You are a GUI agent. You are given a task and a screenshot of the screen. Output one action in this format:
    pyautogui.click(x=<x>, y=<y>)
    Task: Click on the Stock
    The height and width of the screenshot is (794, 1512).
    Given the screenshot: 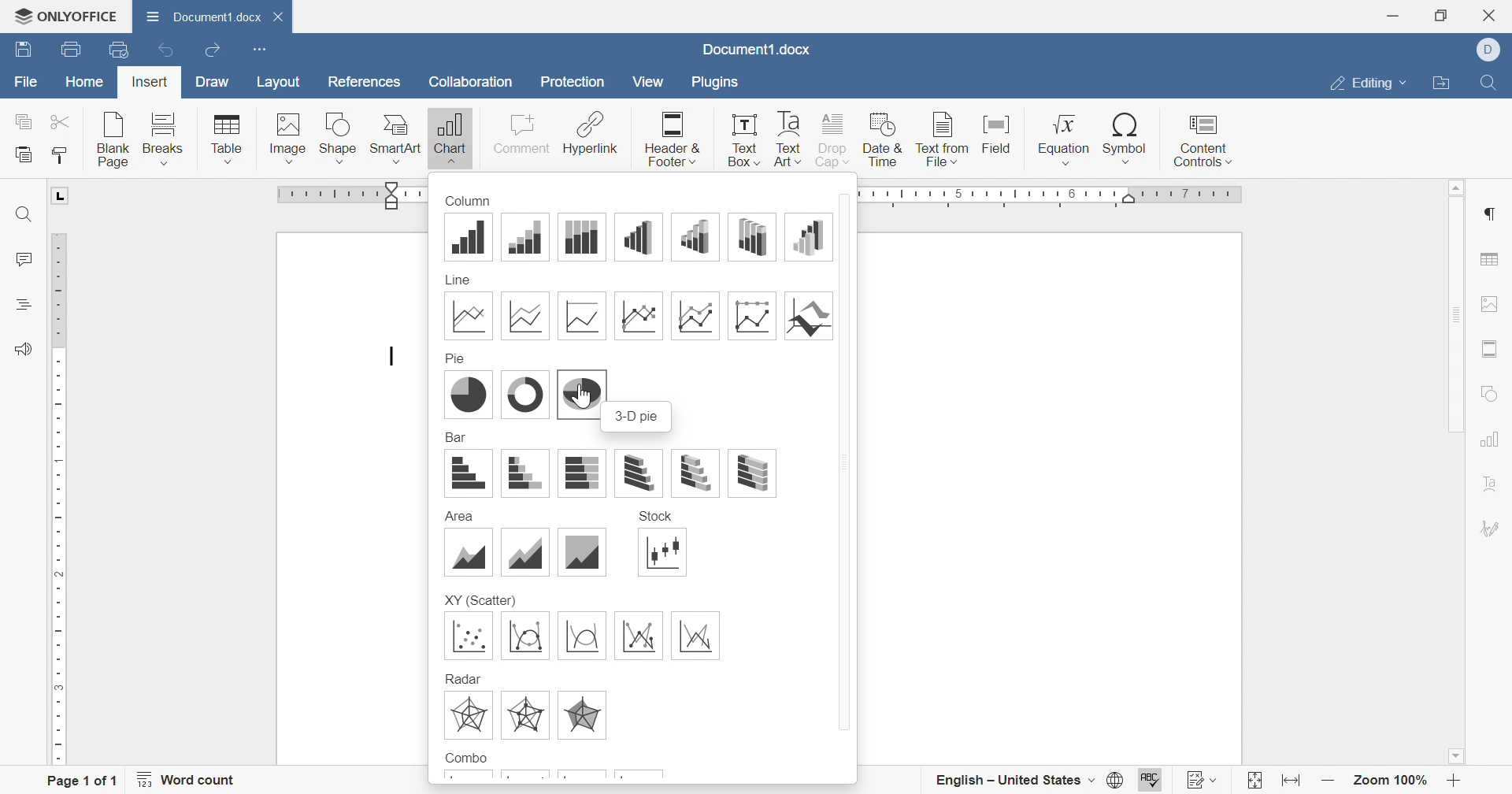 What is the action you would take?
    pyautogui.click(x=662, y=553)
    